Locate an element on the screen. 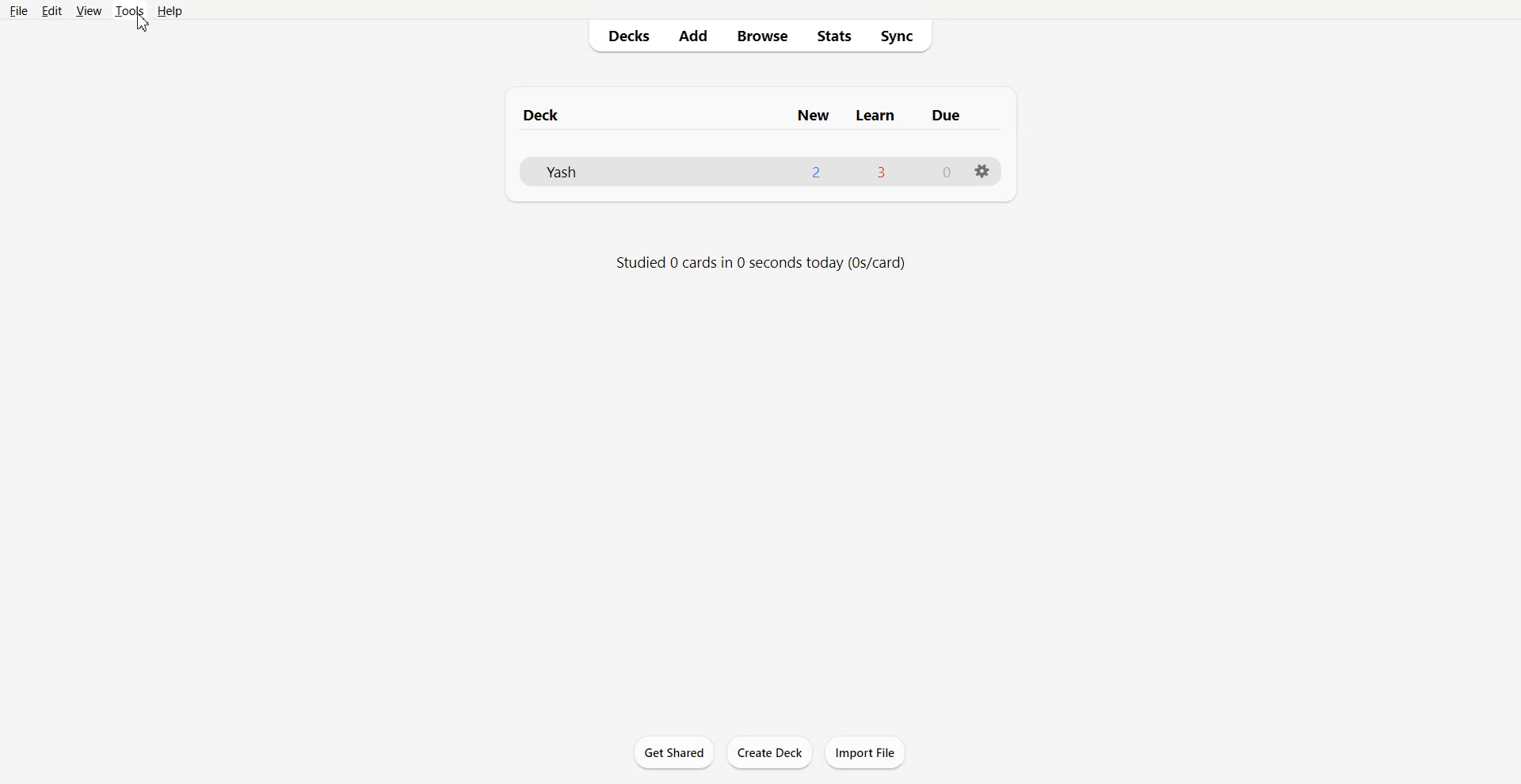  Yash is located at coordinates (559, 171).